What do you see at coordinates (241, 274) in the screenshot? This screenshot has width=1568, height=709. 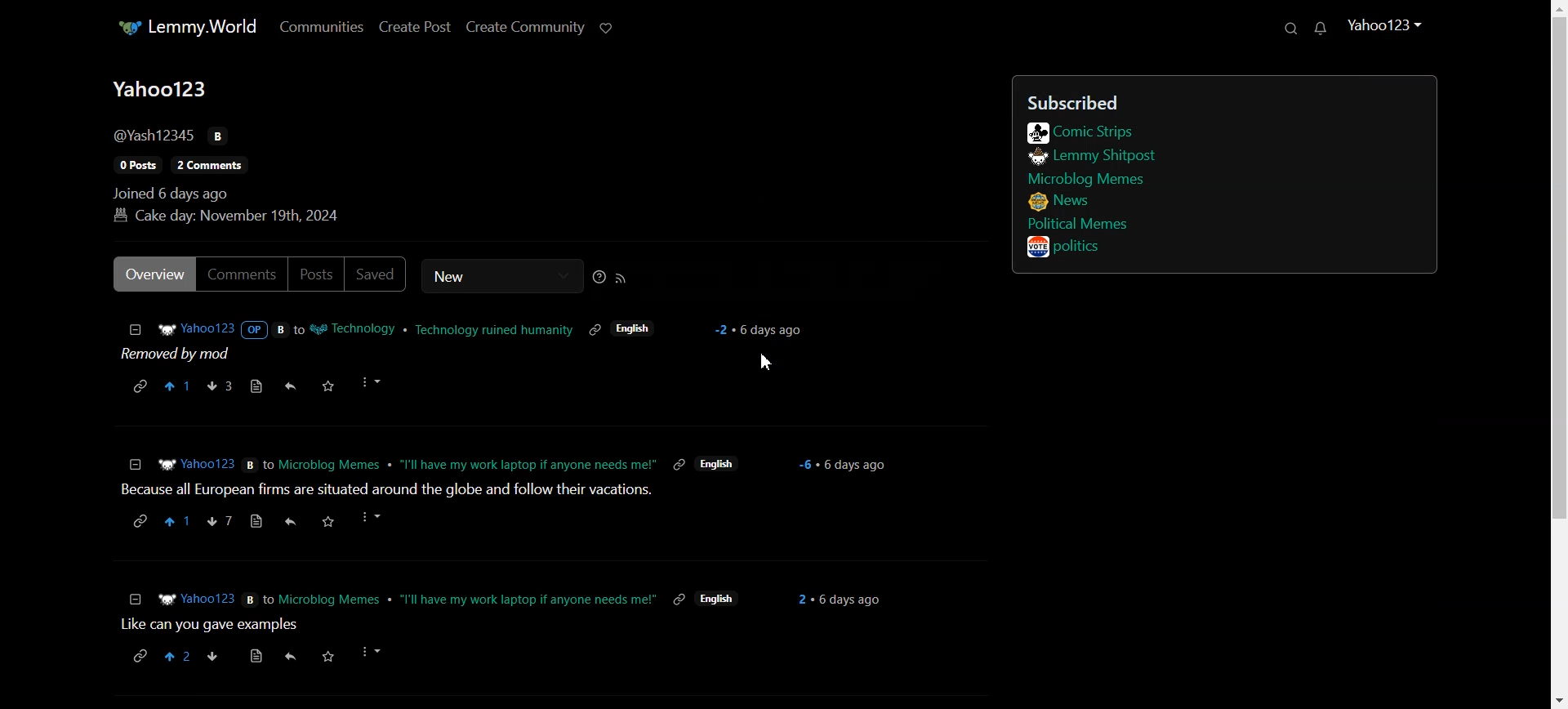 I see `Comments` at bounding box center [241, 274].